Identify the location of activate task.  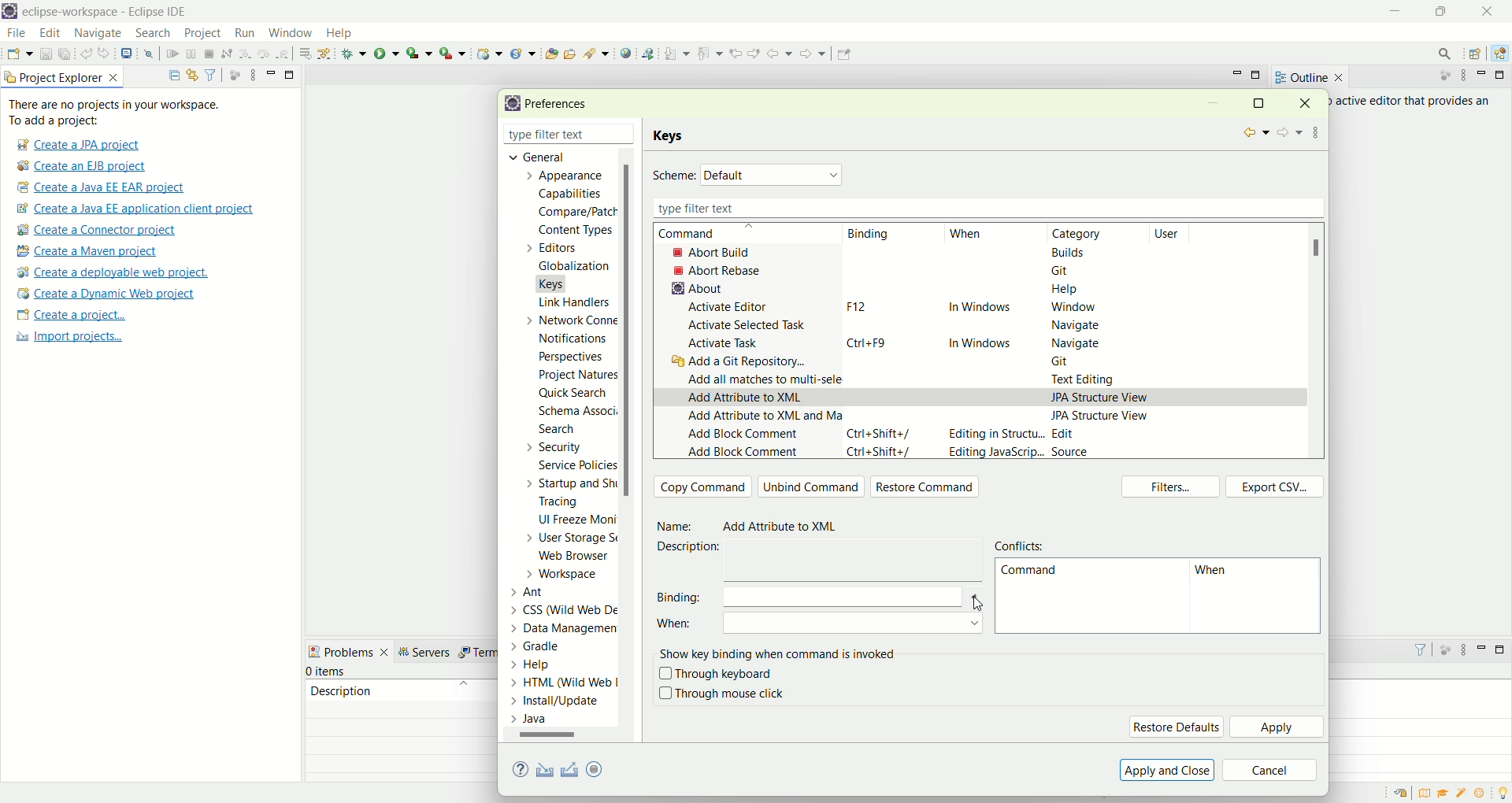
(724, 344).